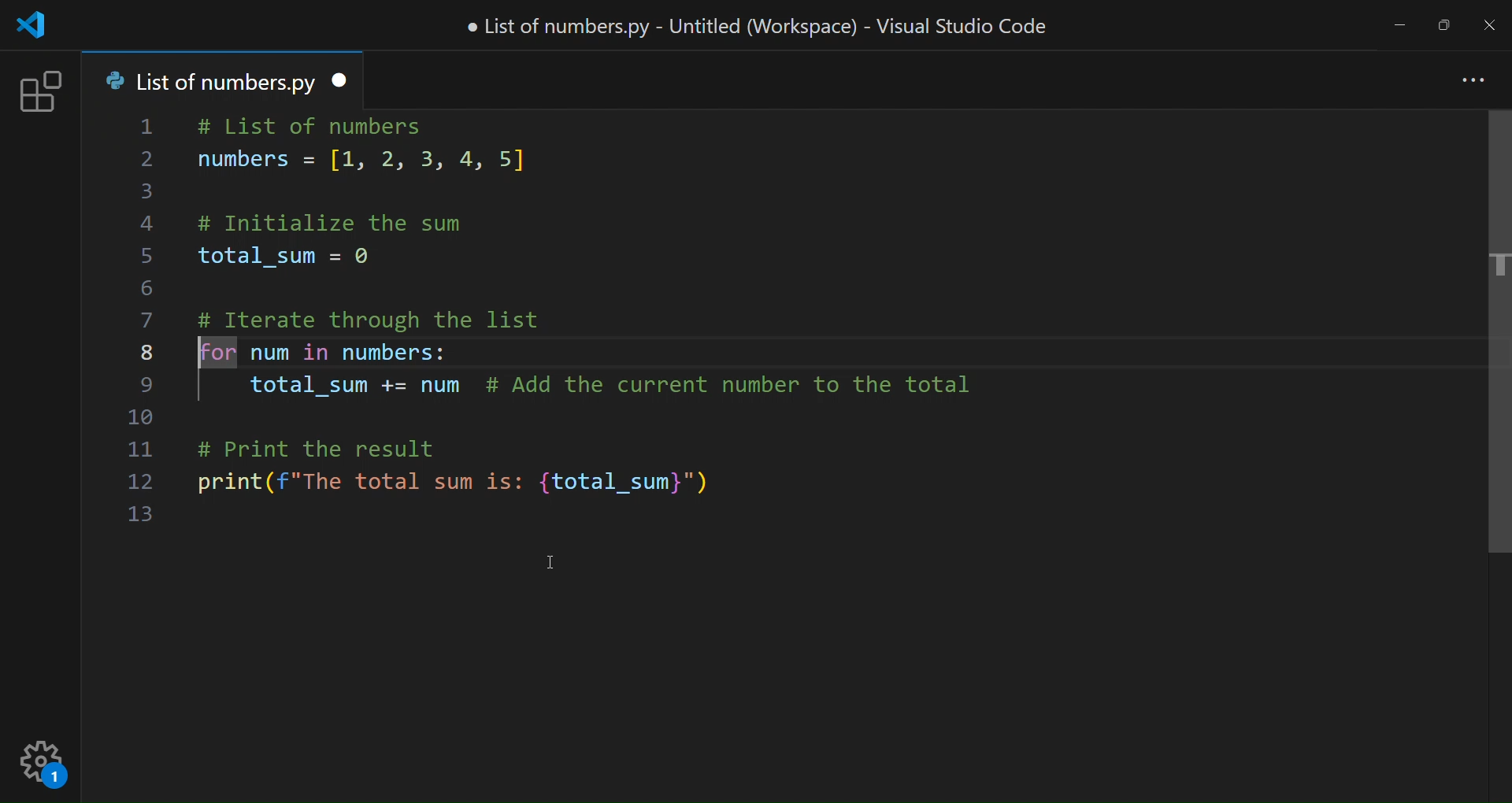 Image resolution: width=1512 pixels, height=803 pixels. What do you see at coordinates (760, 26) in the screenshot?
I see `title` at bounding box center [760, 26].